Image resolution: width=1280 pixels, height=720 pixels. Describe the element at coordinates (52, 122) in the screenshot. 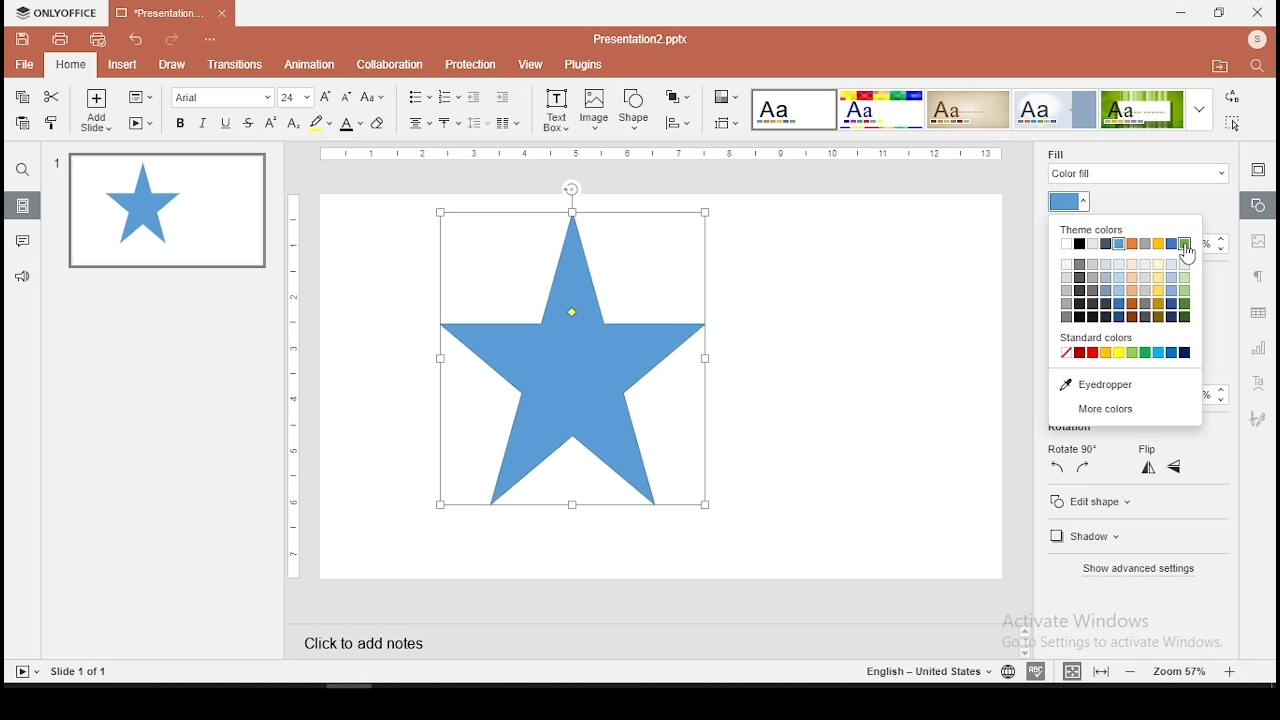

I see `clone formatting` at that location.